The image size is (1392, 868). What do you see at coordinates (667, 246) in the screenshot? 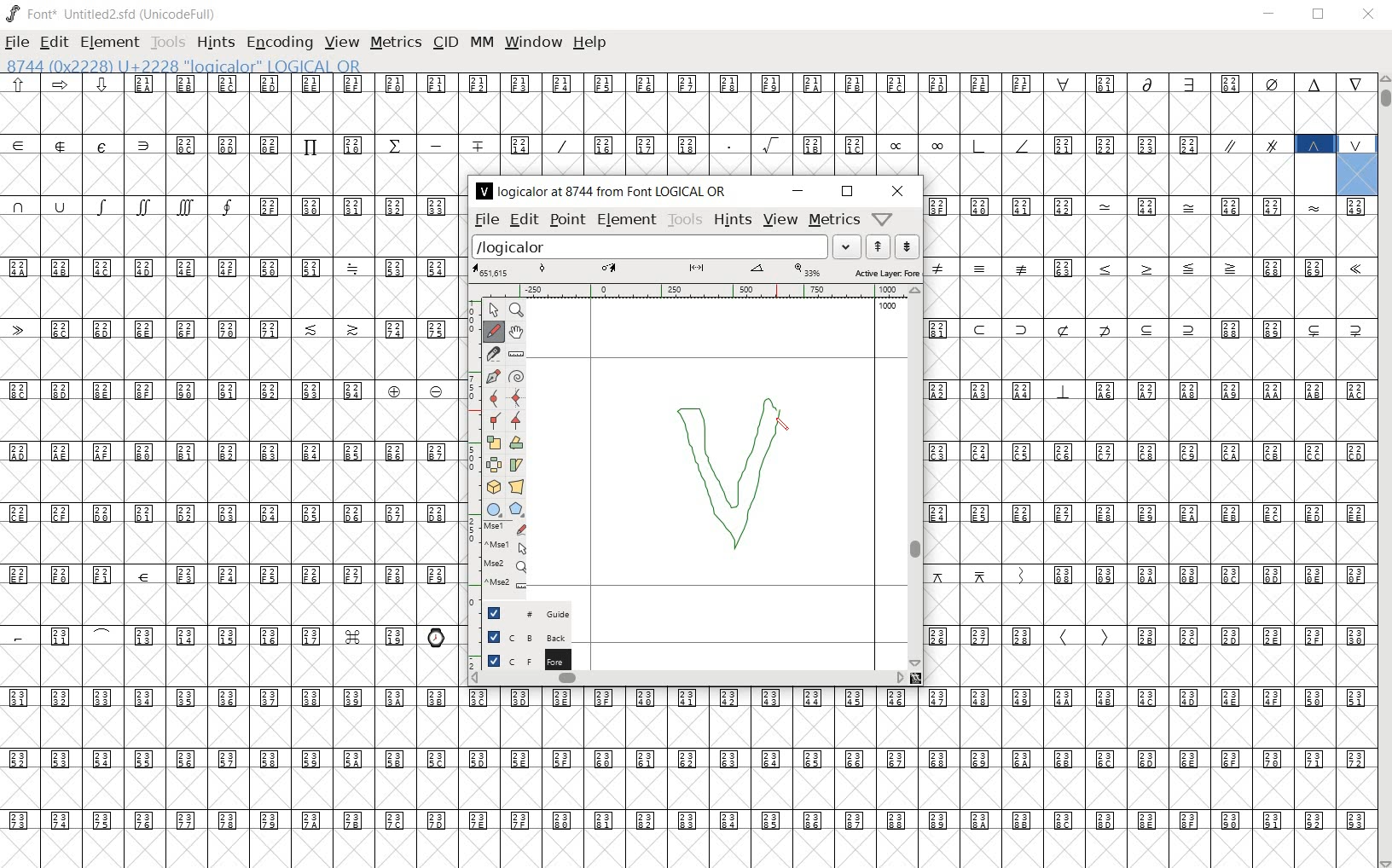
I see `load word list` at bounding box center [667, 246].